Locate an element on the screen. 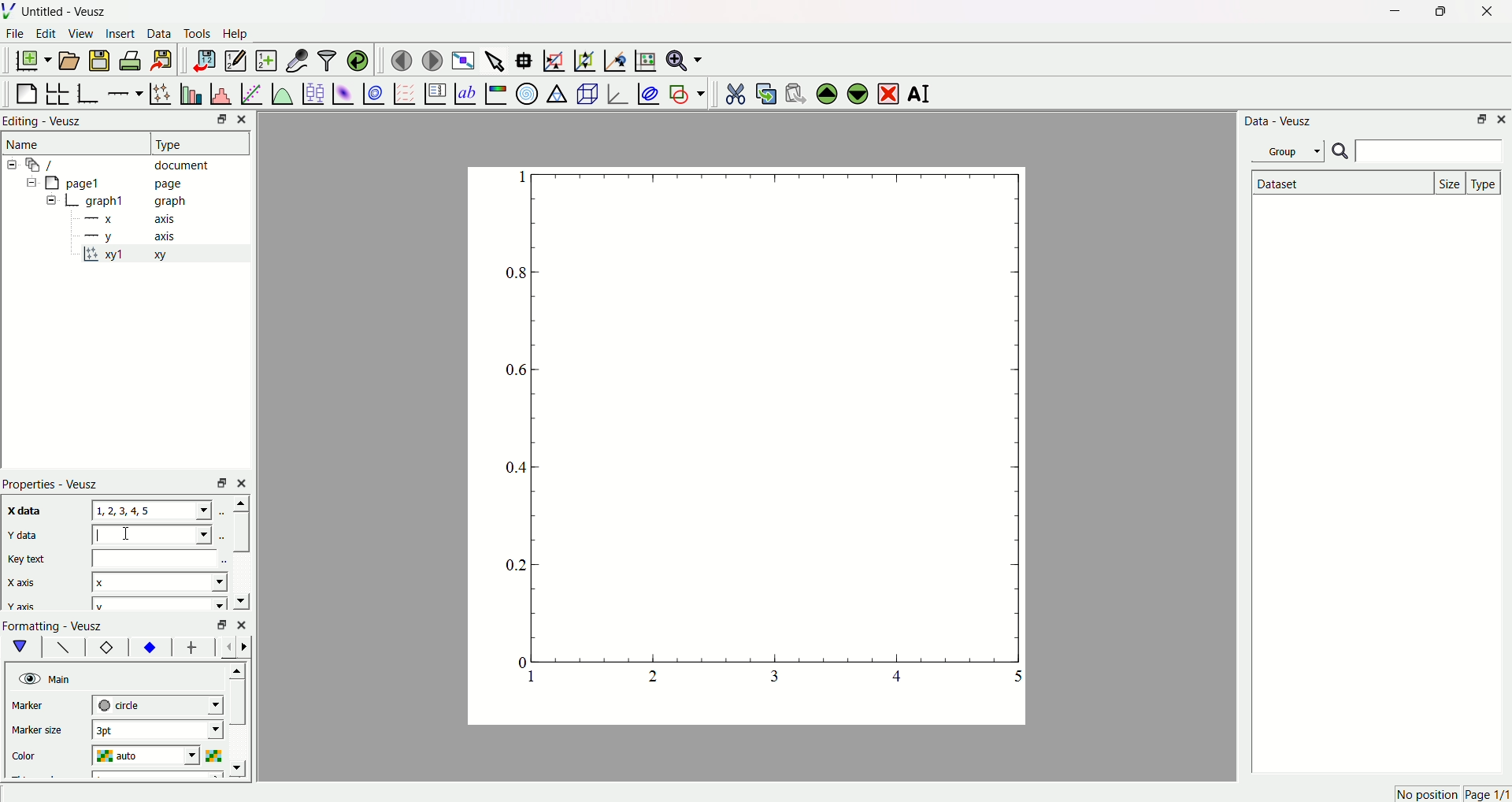  Searchbar is located at coordinates (1417, 152).